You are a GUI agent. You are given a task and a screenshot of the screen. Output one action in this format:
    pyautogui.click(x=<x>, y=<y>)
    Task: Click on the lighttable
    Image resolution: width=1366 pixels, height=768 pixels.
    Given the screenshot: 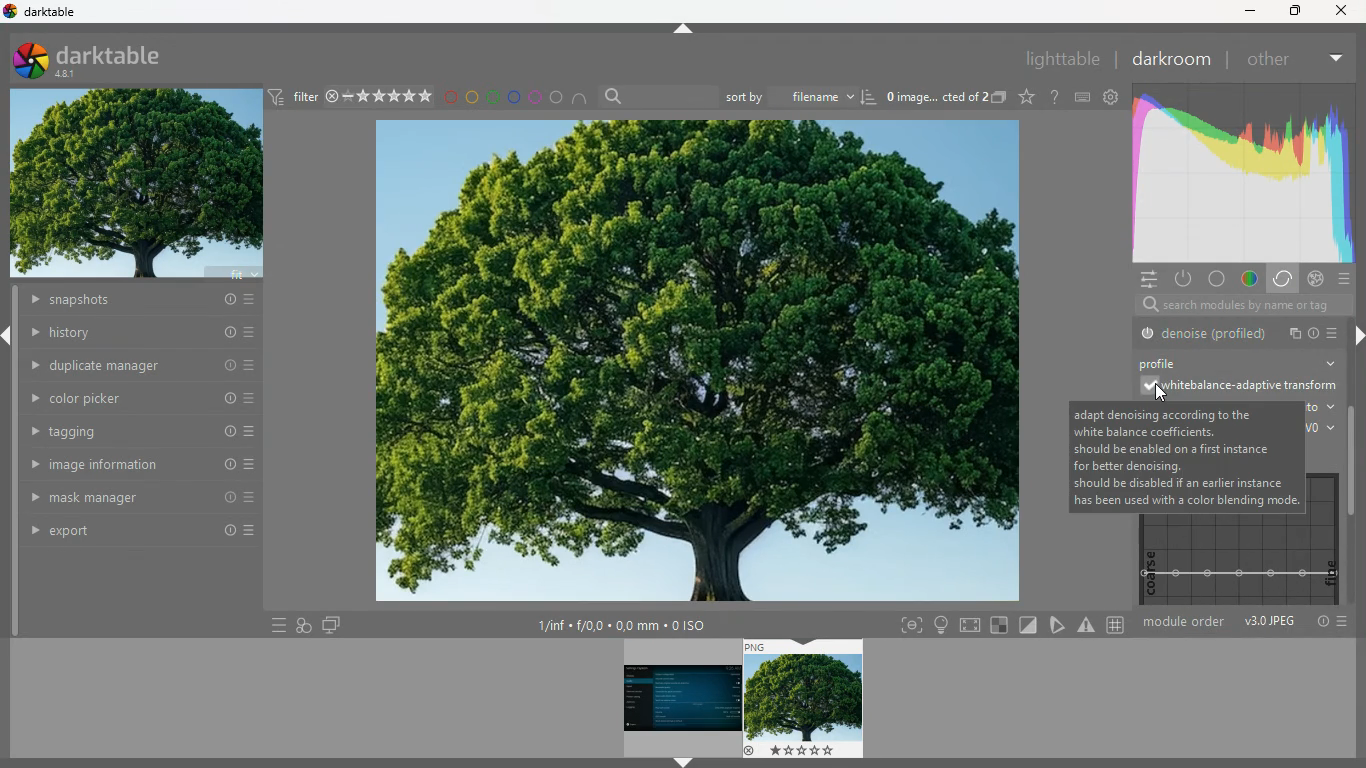 What is the action you would take?
    pyautogui.click(x=1062, y=61)
    